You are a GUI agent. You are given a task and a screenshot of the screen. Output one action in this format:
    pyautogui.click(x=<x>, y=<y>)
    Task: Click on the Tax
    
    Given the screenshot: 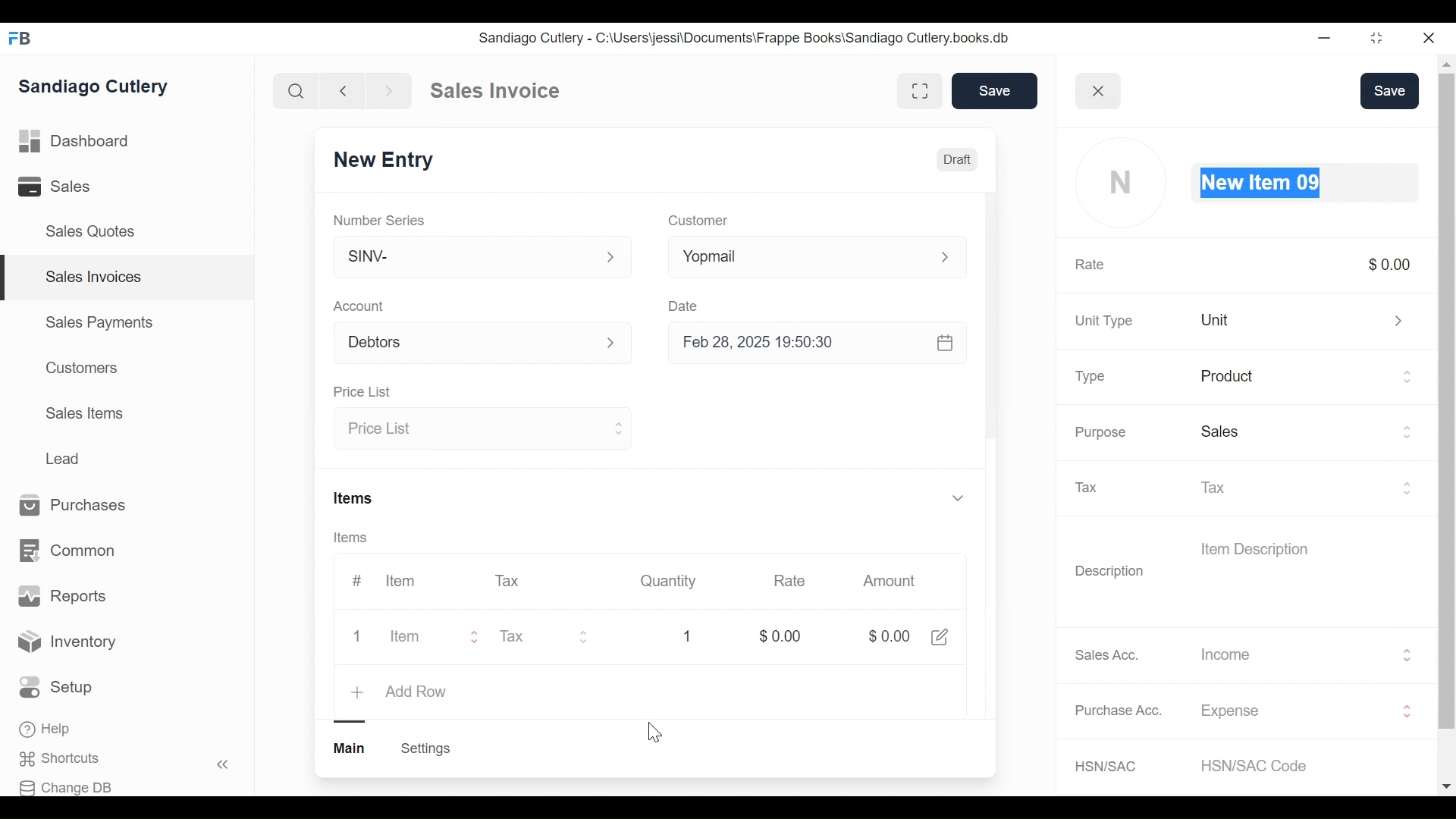 What is the action you would take?
    pyautogui.click(x=1308, y=486)
    